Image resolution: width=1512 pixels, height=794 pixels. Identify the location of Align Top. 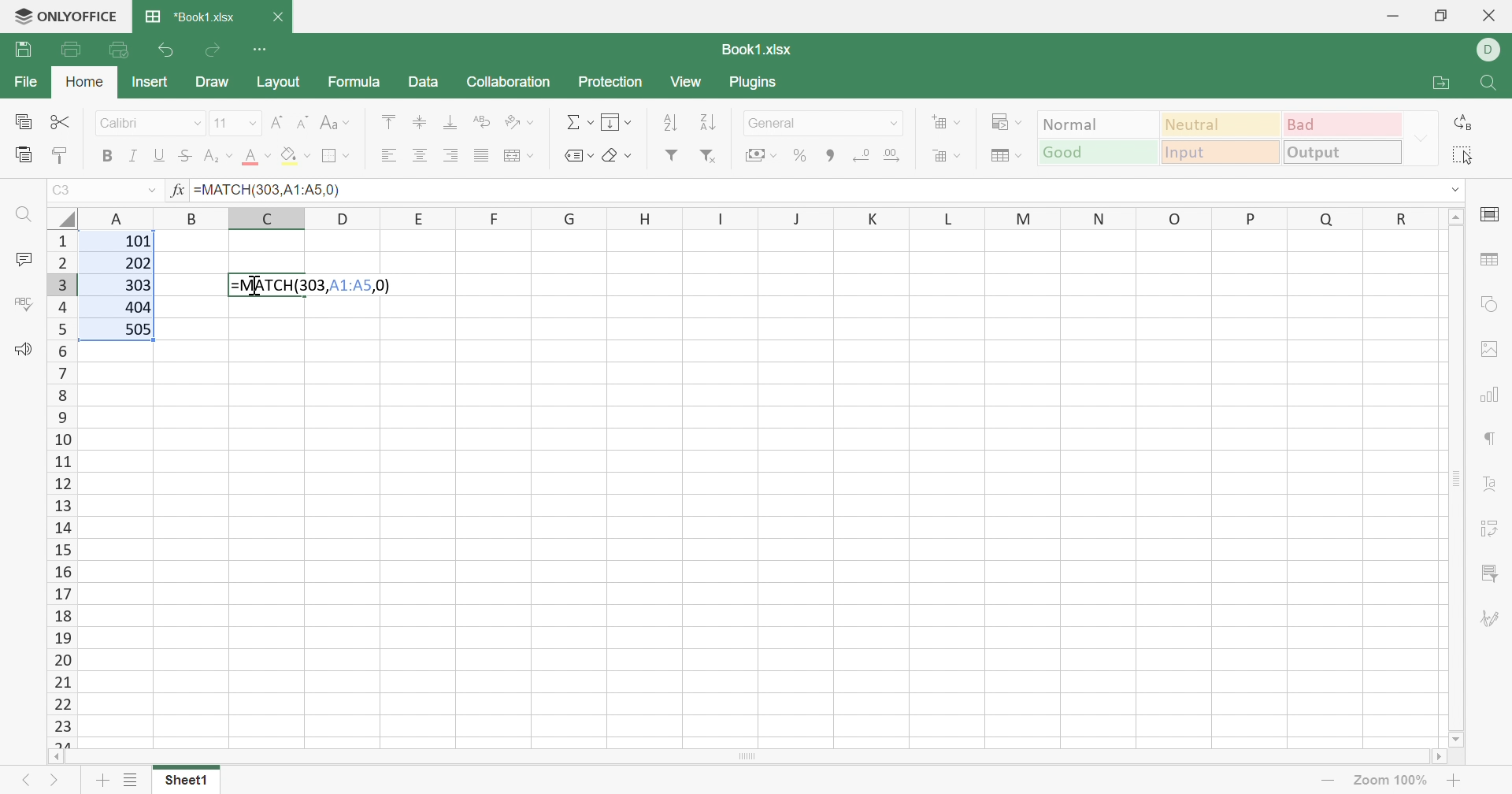
(384, 120).